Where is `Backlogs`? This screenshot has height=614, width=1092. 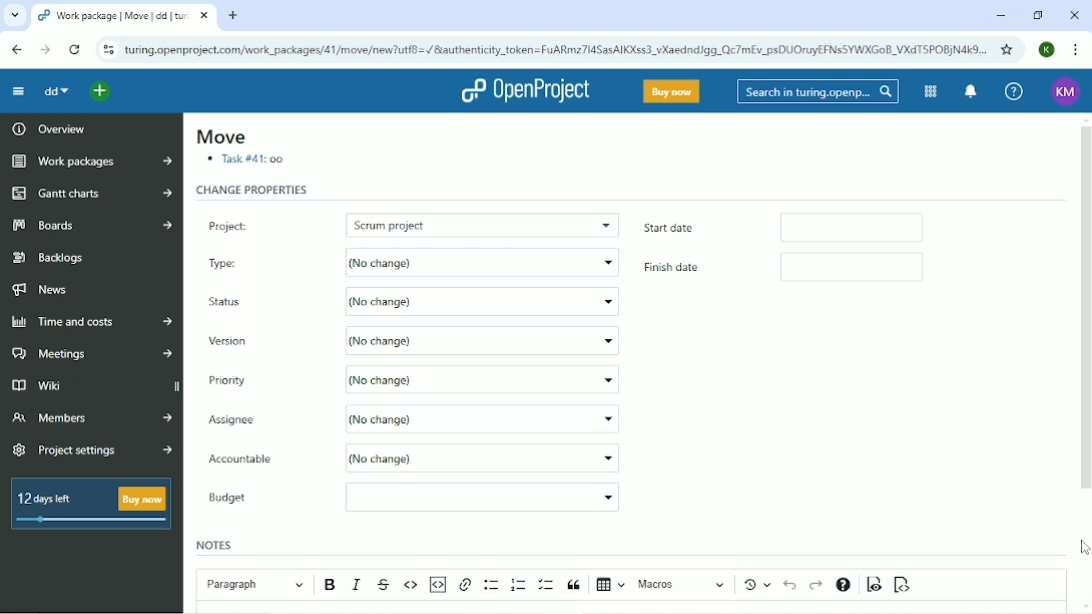 Backlogs is located at coordinates (50, 258).